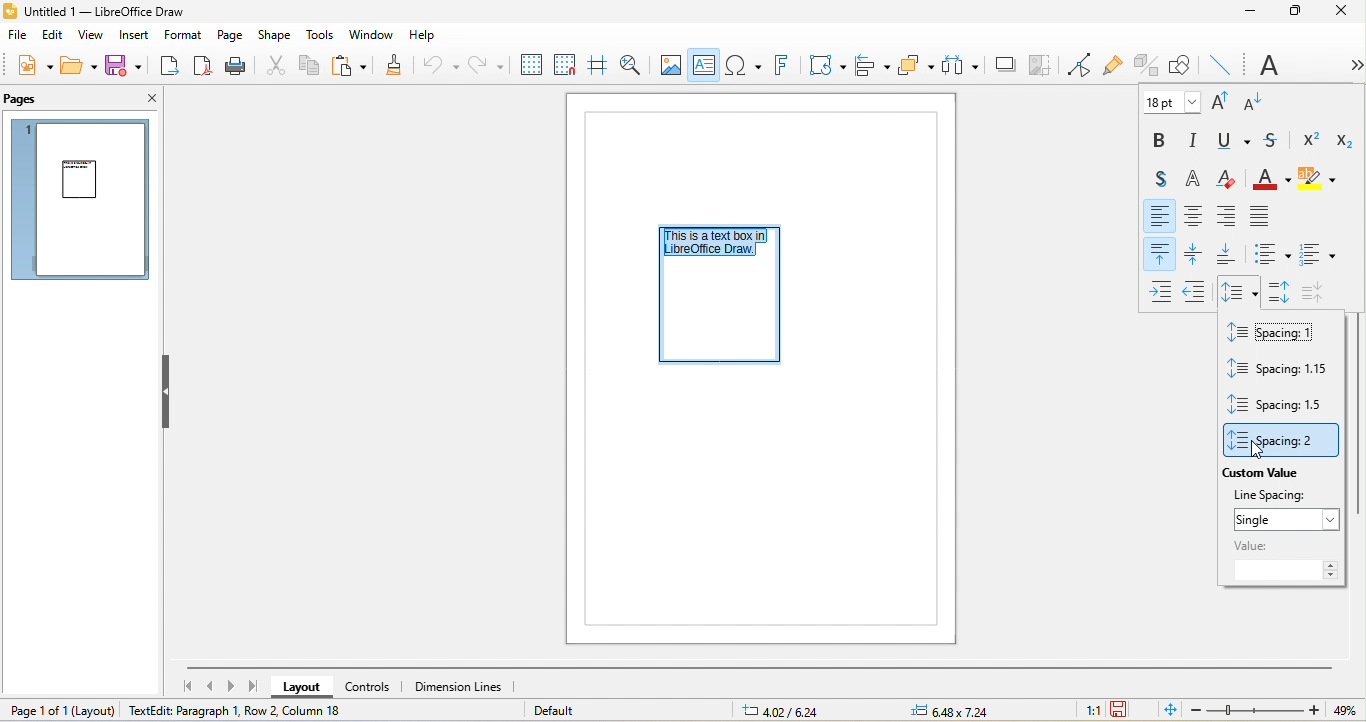 The width and height of the screenshot is (1366, 722). Describe the element at coordinates (1262, 63) in the screenshot. I see `font name` at that location.